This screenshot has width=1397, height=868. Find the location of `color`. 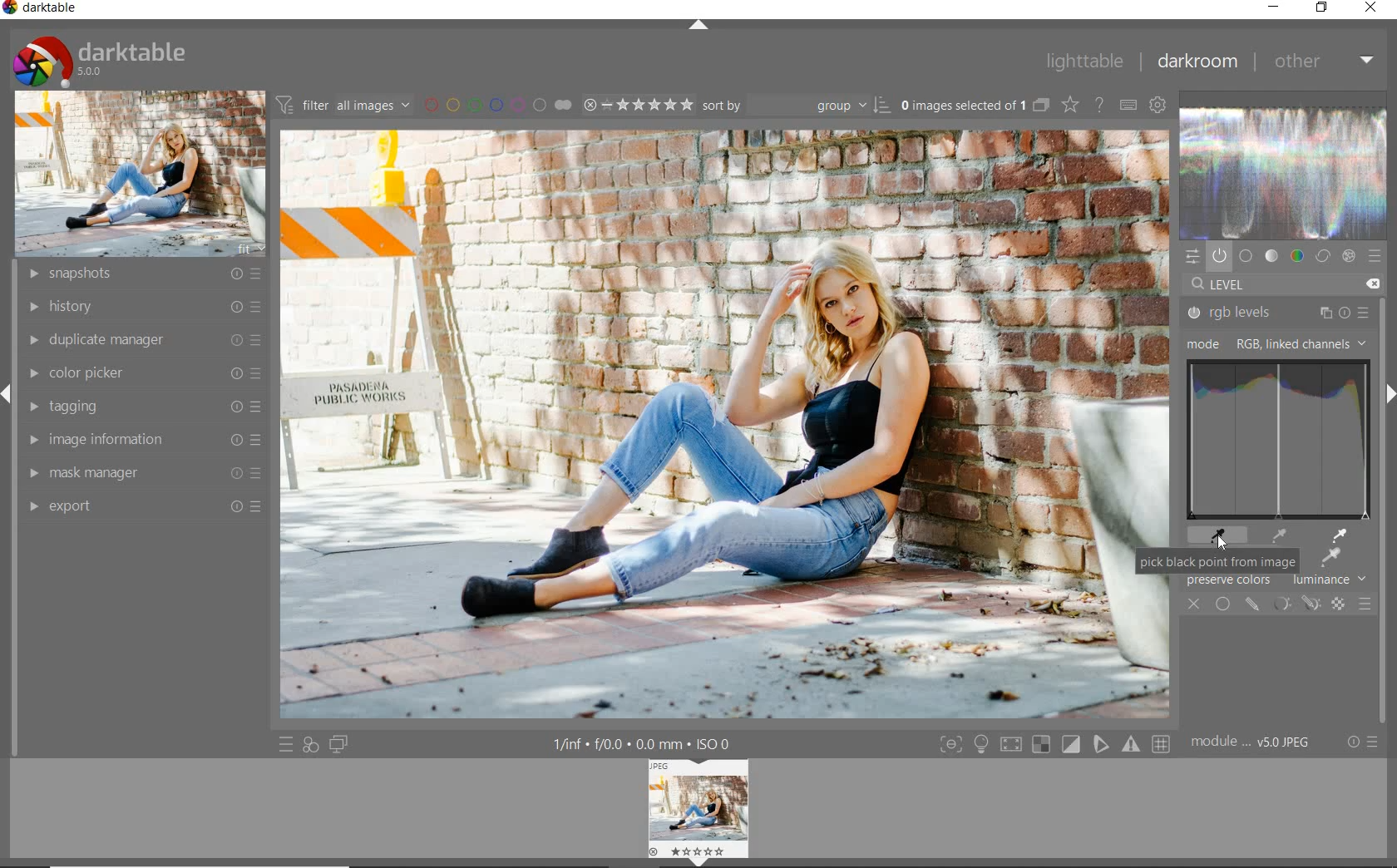

color is located at coordinates (1296, 254).